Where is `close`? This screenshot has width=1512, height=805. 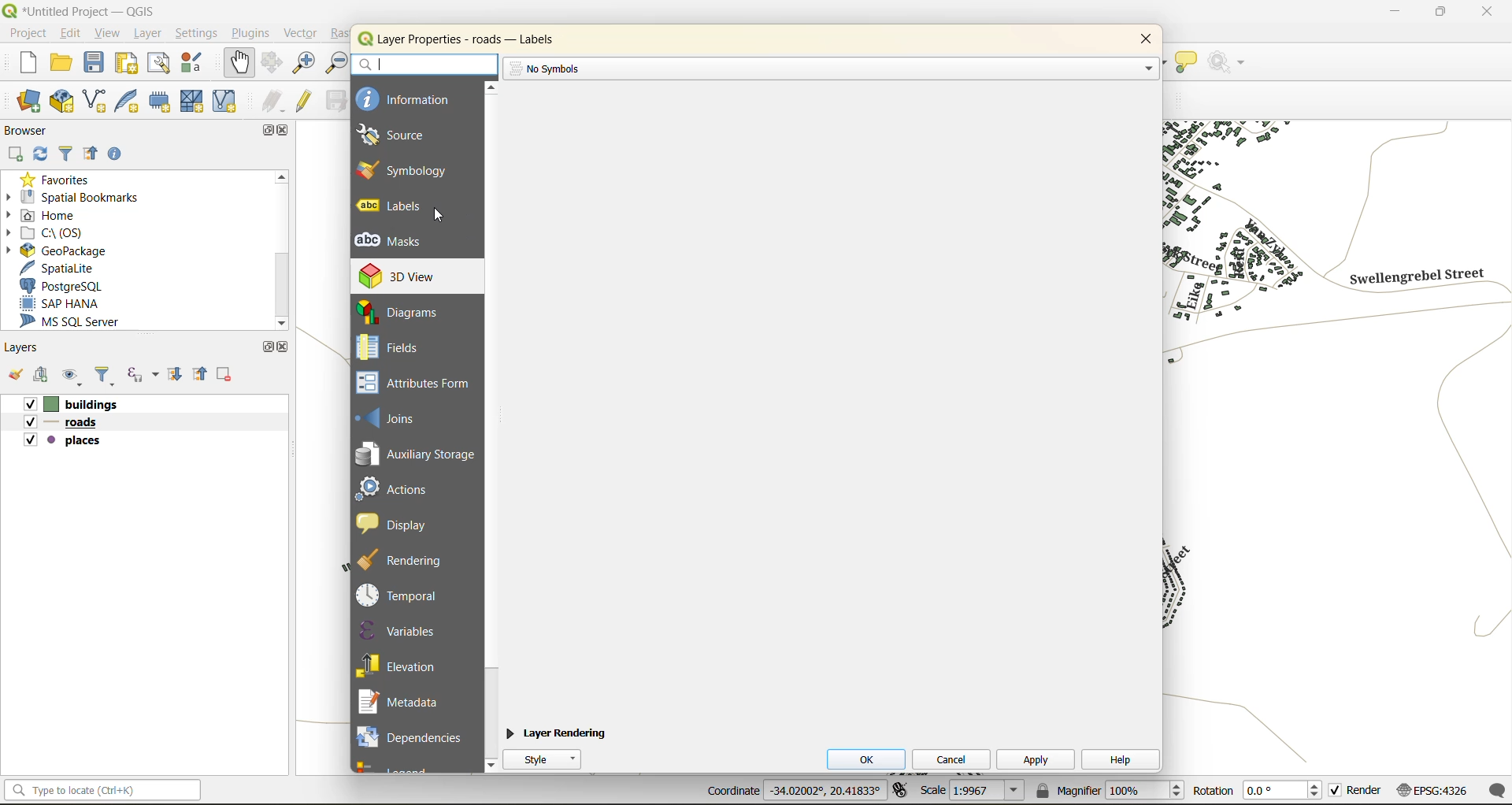
close is located at coordinates (1141, 40).